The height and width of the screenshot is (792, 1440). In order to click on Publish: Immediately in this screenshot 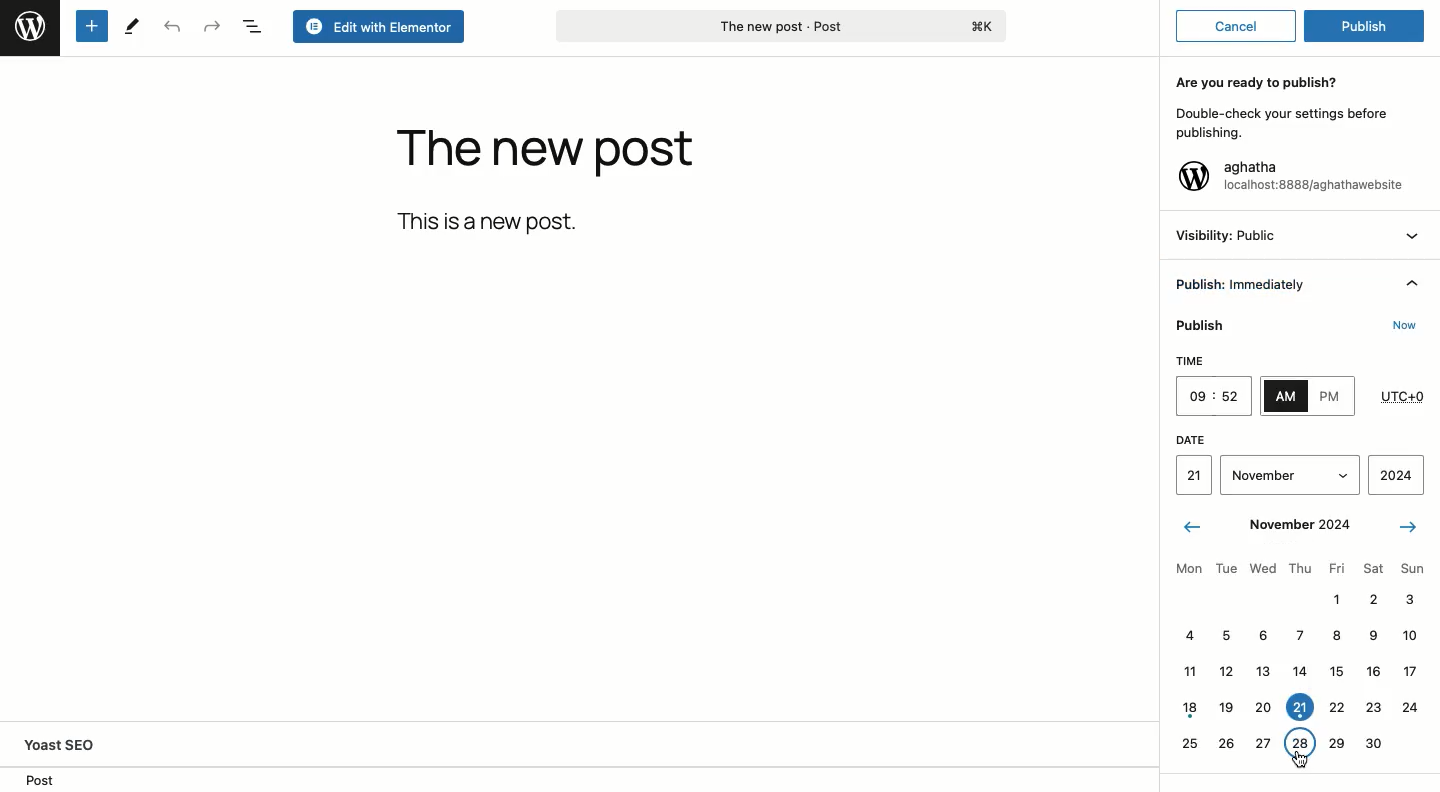, I will do `click(1249, 286)`.